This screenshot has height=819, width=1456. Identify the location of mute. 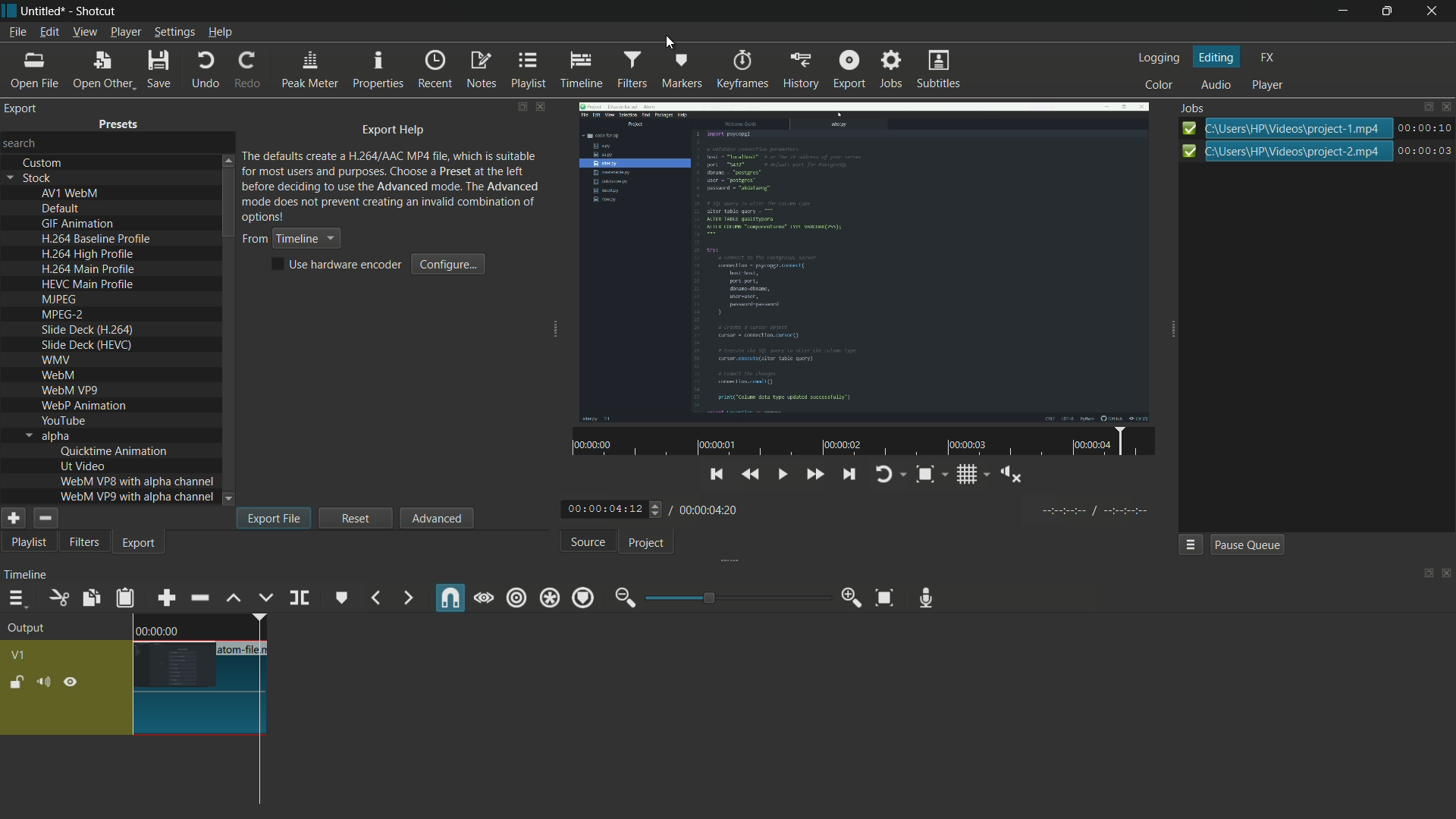
(42, 683).